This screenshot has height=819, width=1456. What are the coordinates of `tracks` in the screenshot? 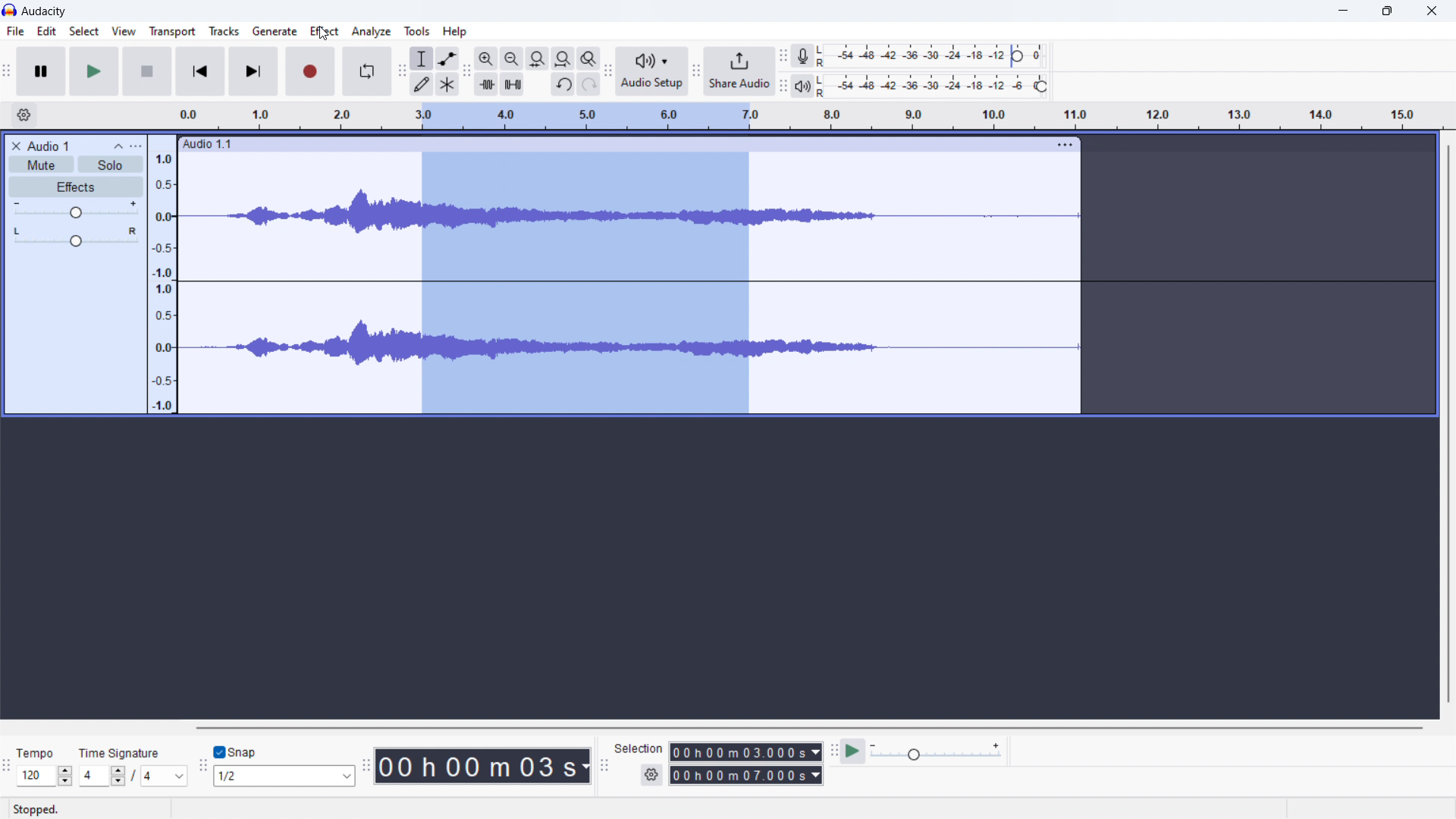 It's located at (224, 31).